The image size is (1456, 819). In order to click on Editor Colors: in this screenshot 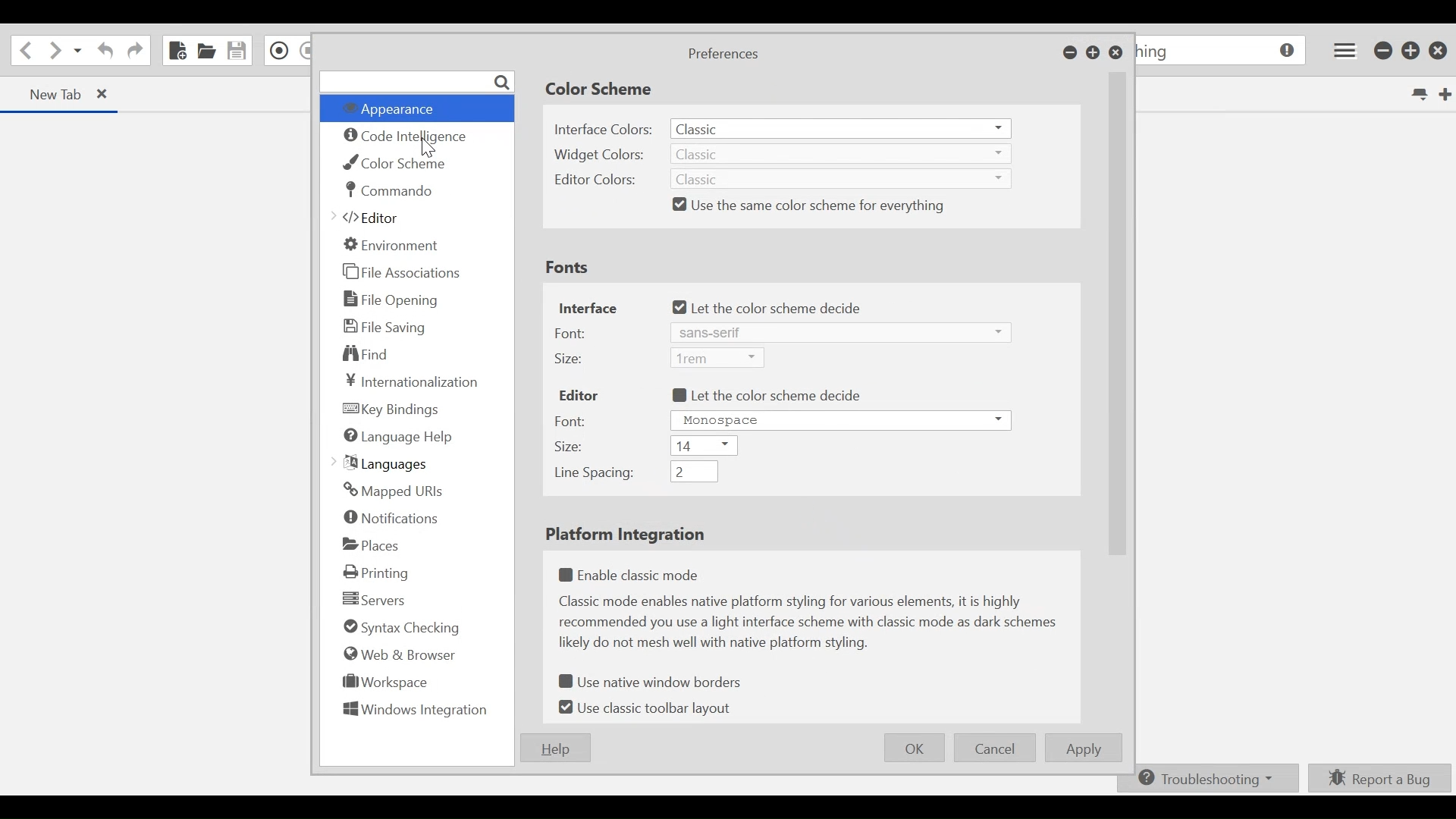, I will do `click(594, 180)`.